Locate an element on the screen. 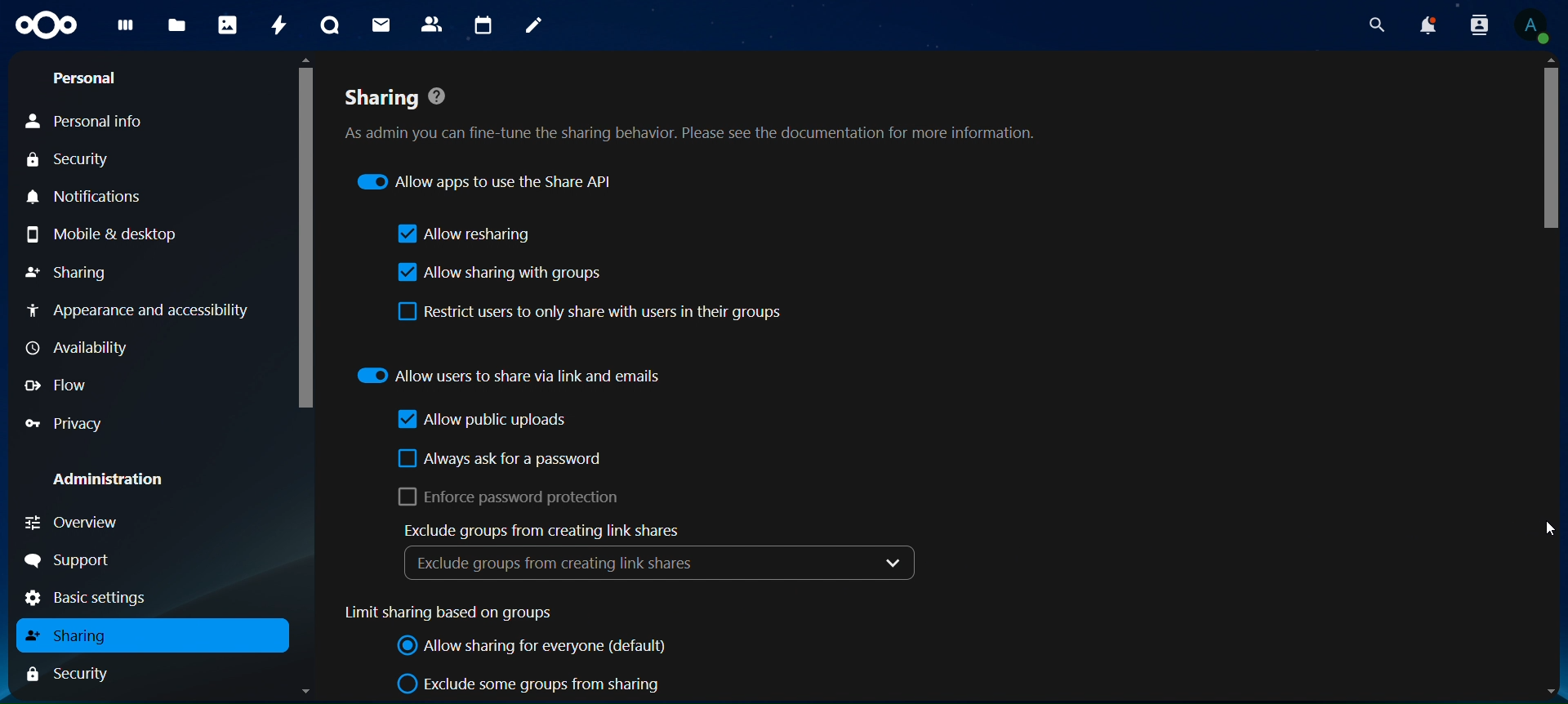  allow users to share via link and emails is located at coordinates (518, 373).